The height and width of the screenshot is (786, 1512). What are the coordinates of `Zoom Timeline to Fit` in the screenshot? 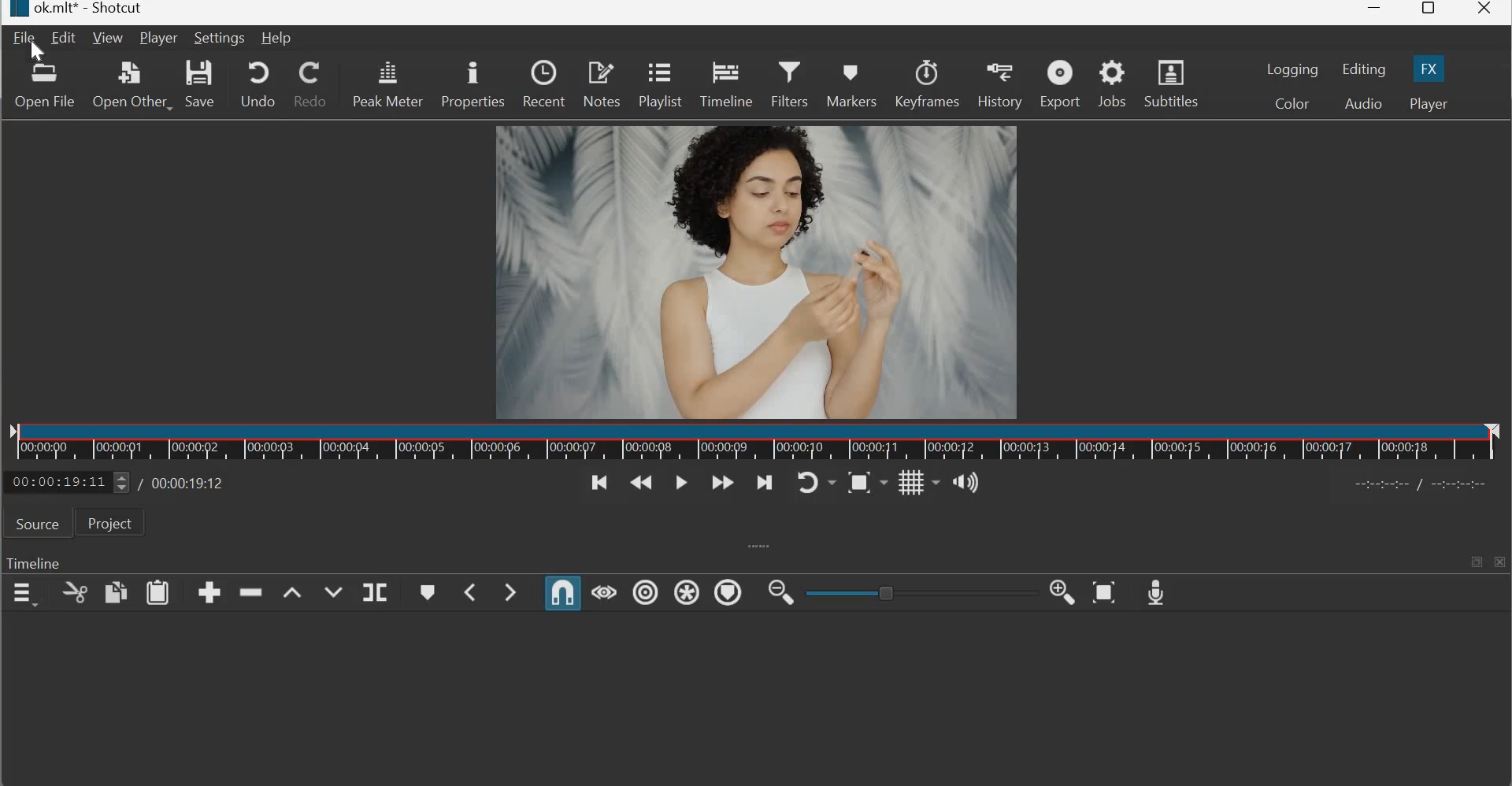 It's located at (1106, 592).